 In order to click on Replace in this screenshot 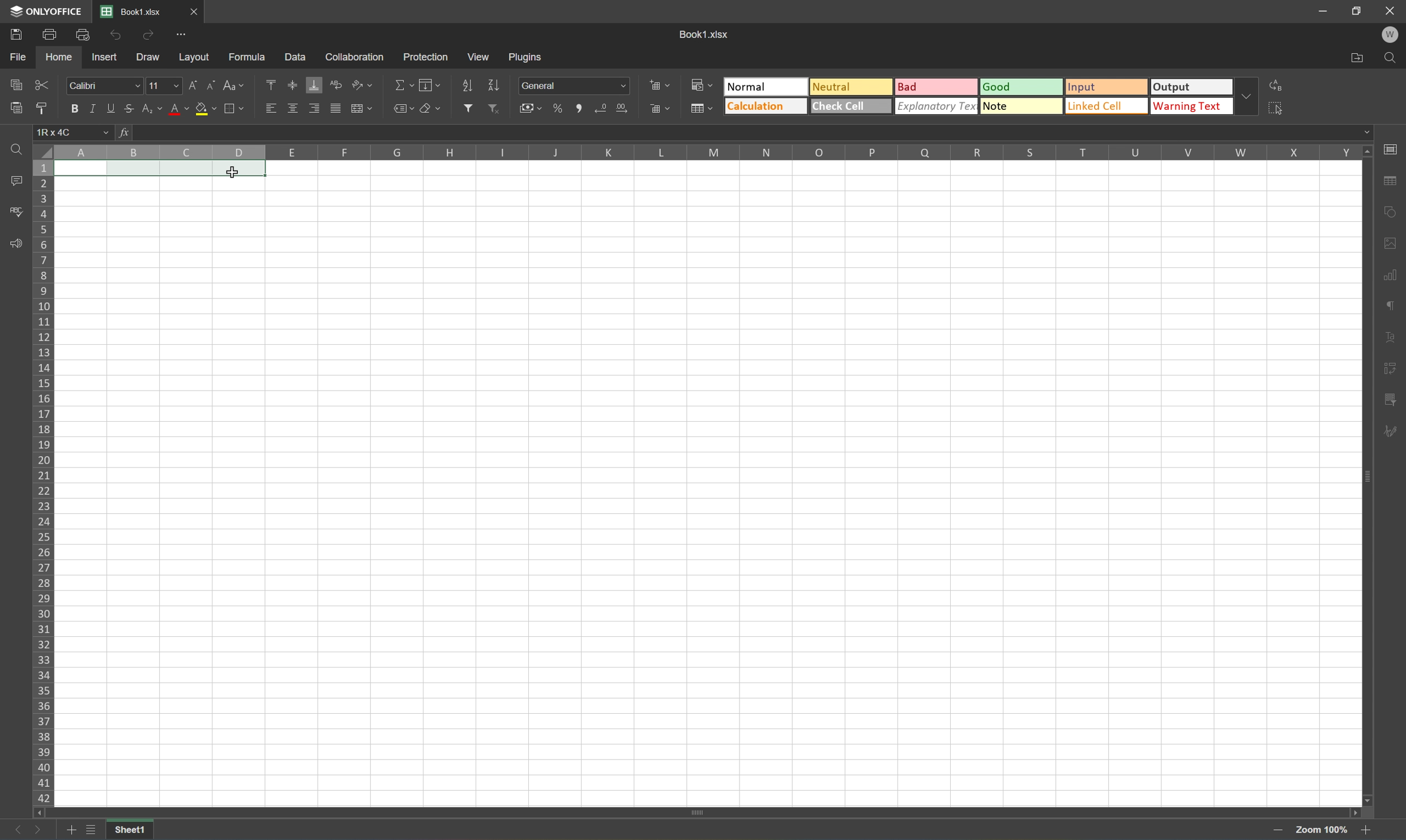, I will do `click(1279, 86)`.